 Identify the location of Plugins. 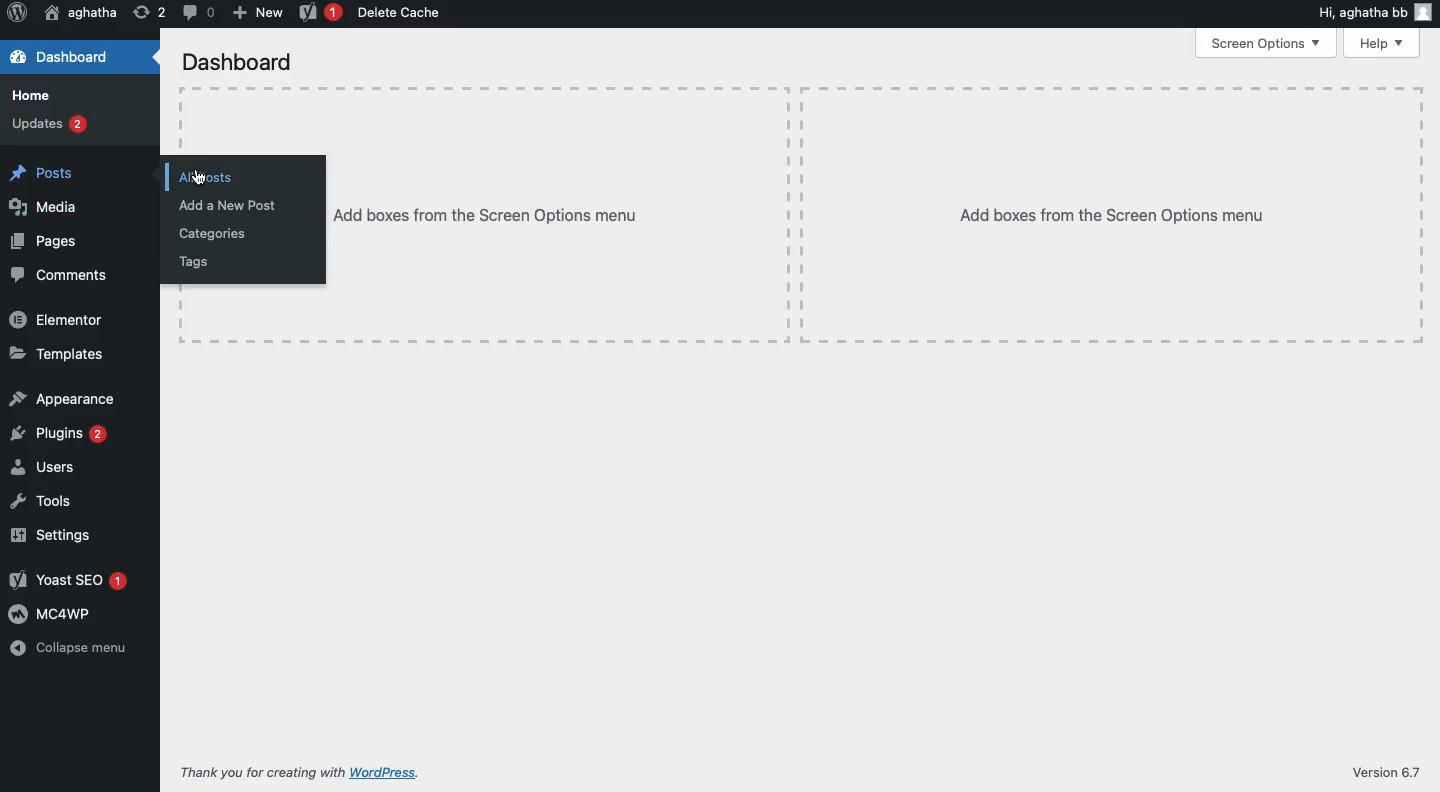
(59, 433).